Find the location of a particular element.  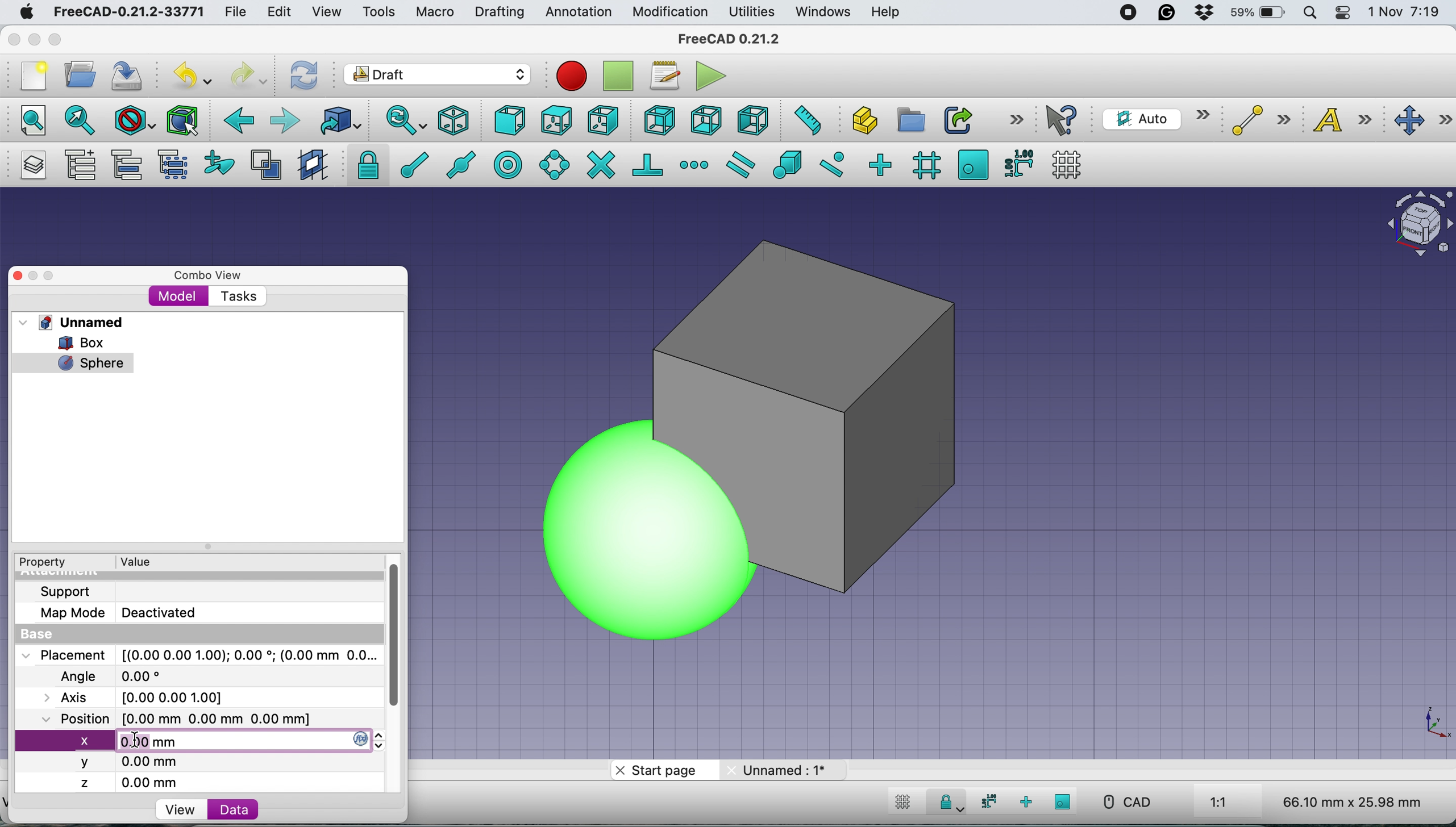

position is located at coordinates (186, 718).